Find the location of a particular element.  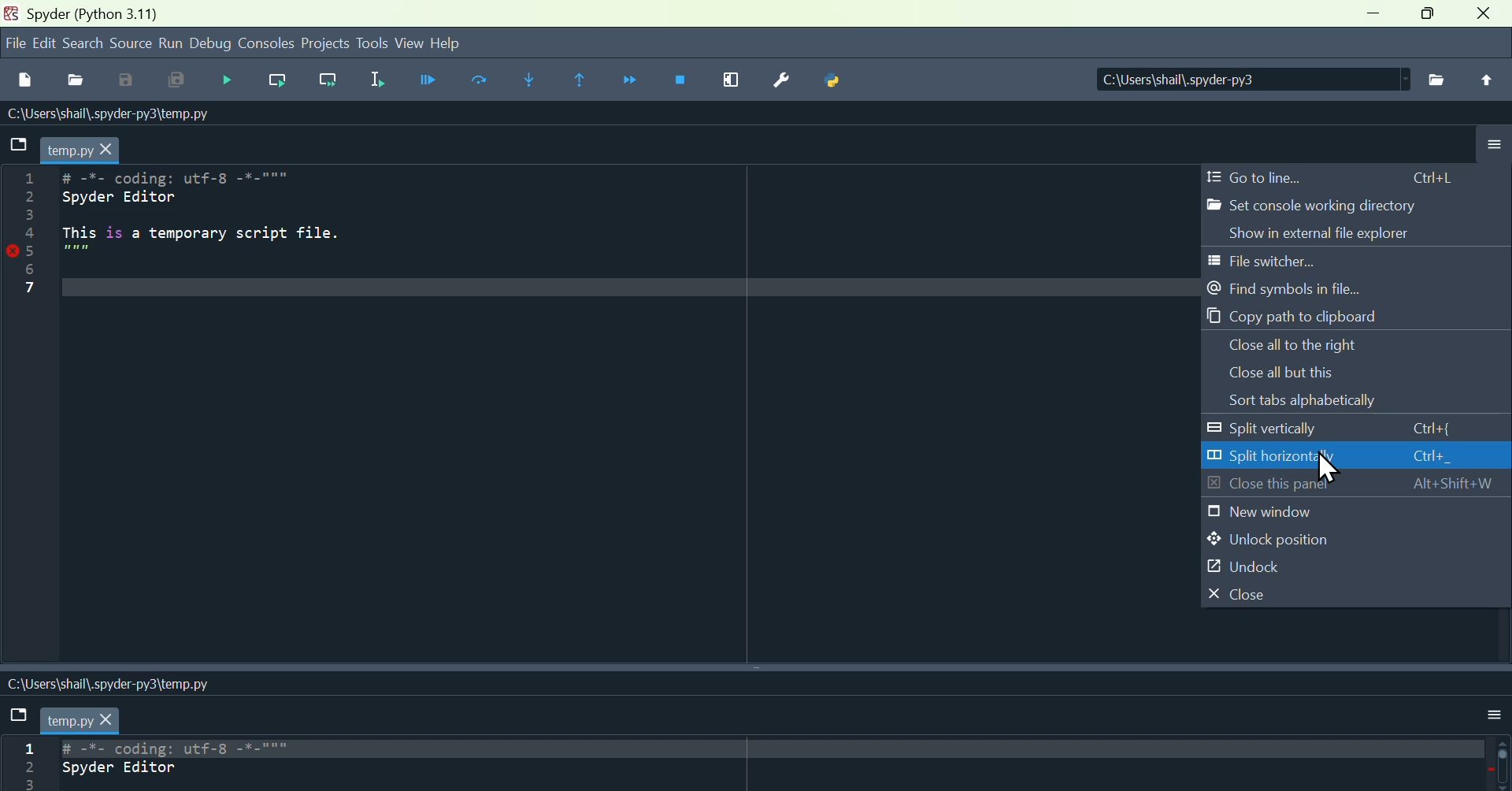

Sort tabs alphabetically is located at coordinates (1308, 399).